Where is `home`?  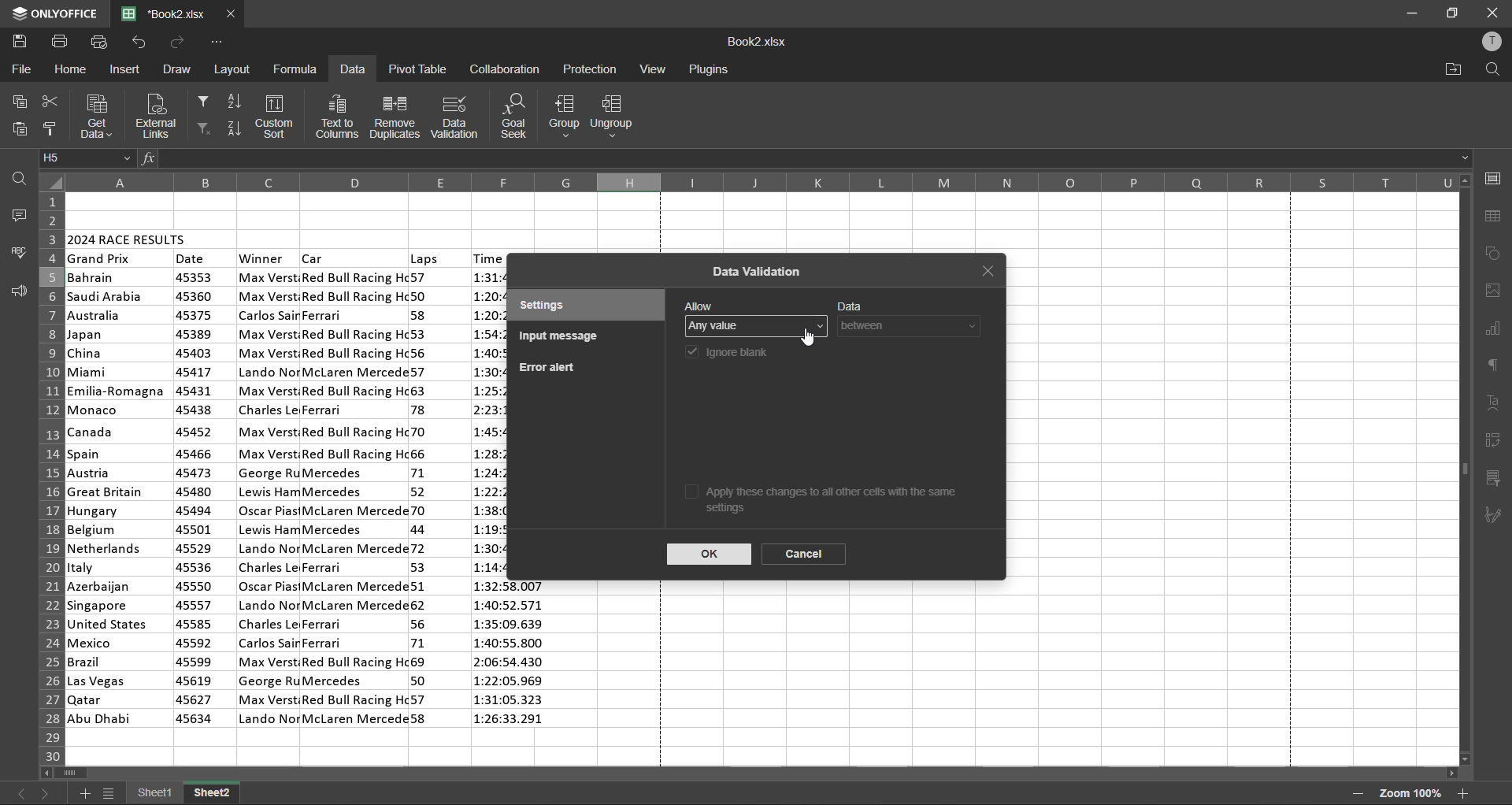
home is located at coordinates (71, 71).